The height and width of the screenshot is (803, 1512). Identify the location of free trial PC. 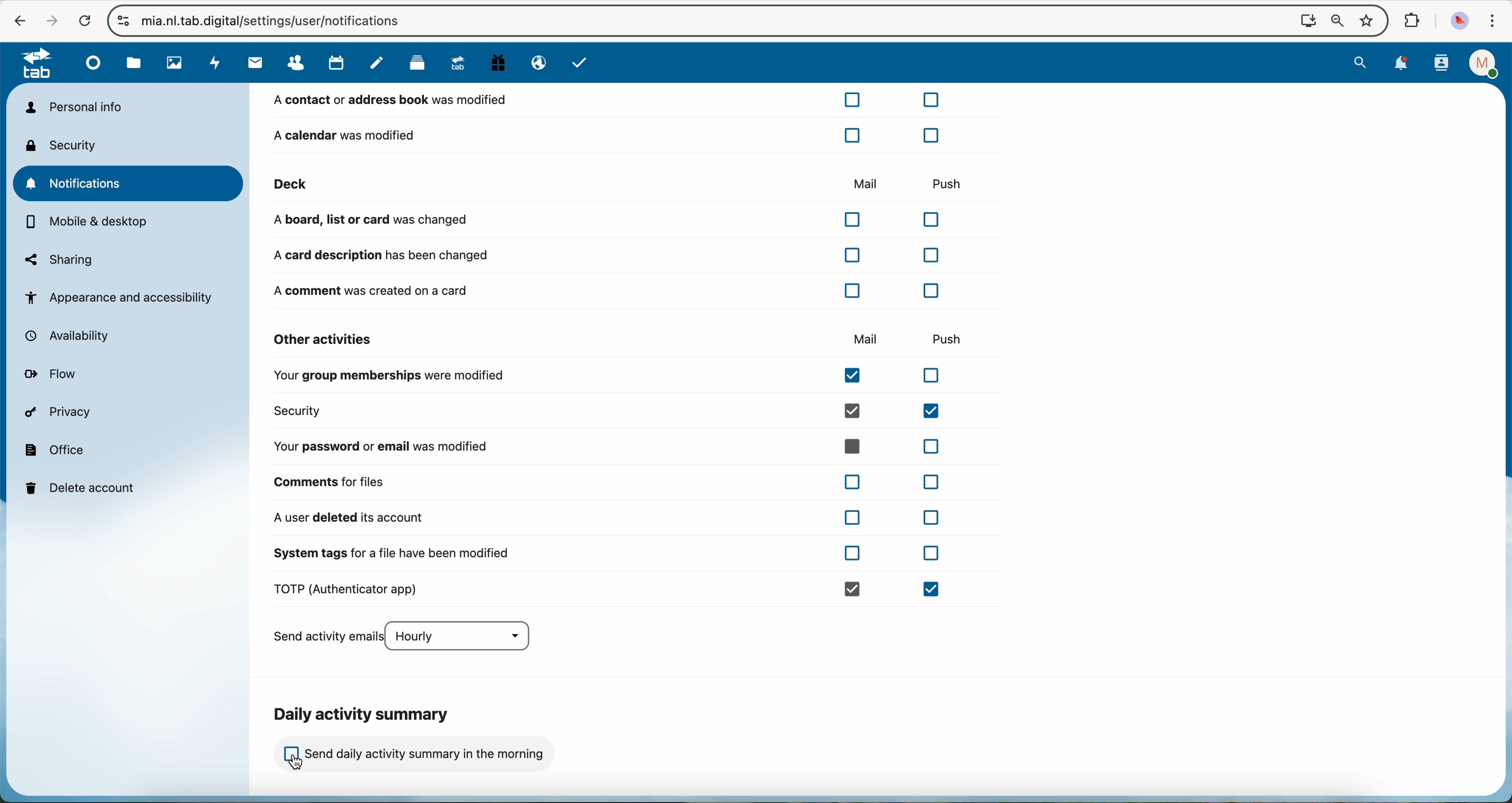
(500, 65).